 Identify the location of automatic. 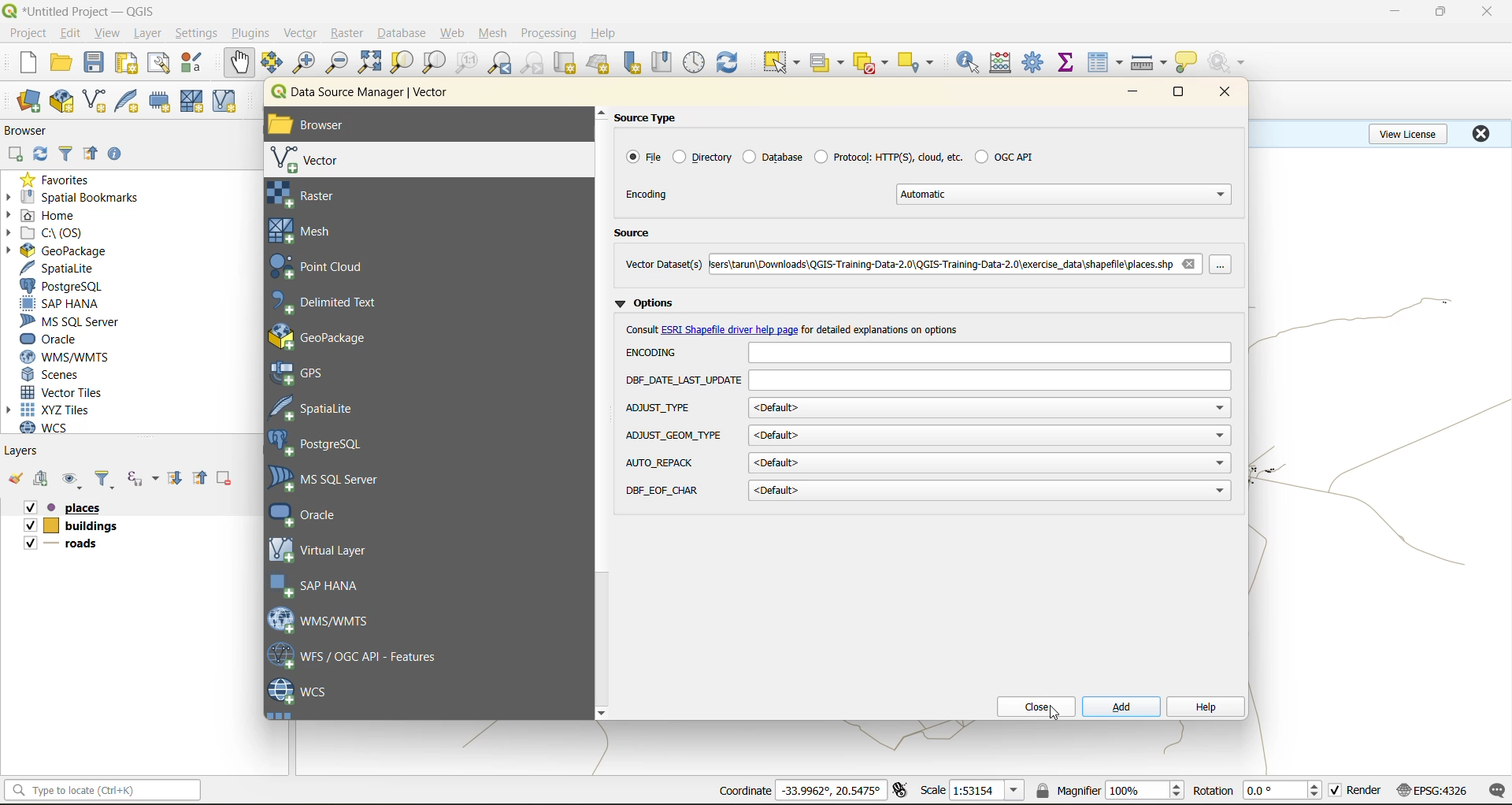
(1066, 194).